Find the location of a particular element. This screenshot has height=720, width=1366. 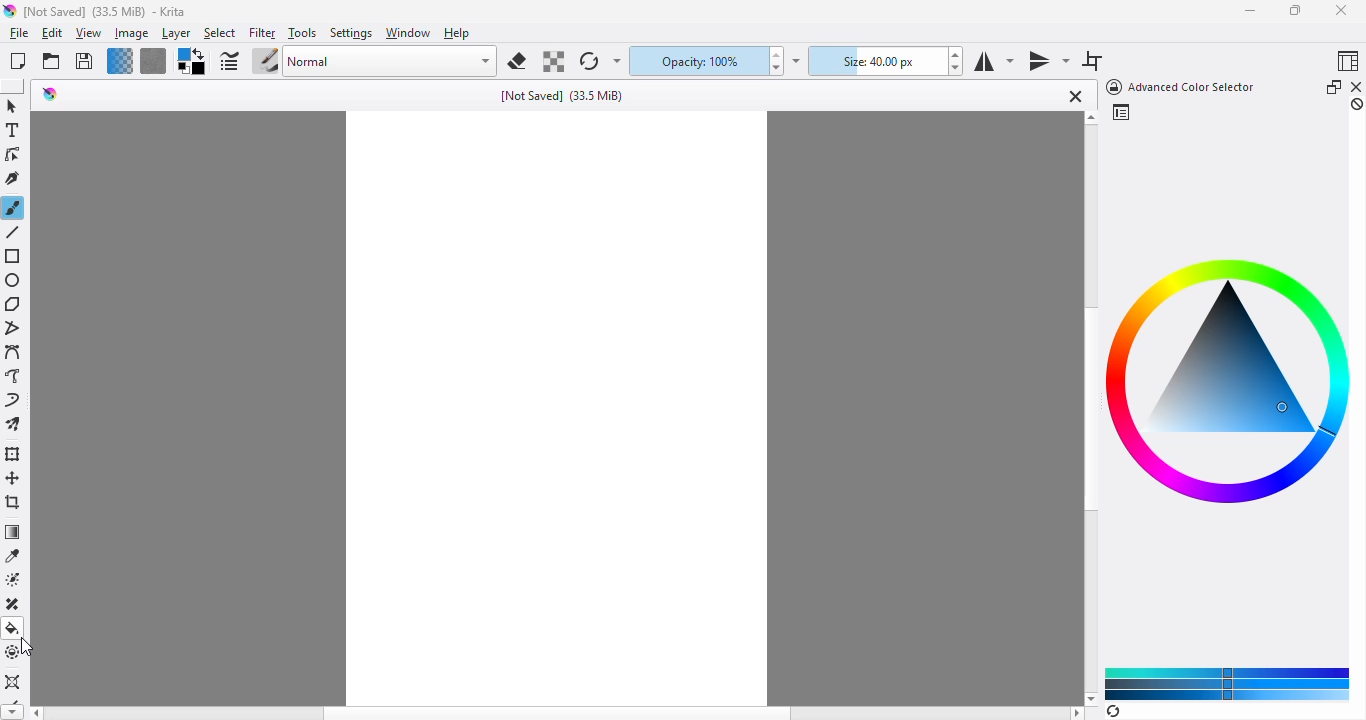

create new document is located at coordinates (18, 61).